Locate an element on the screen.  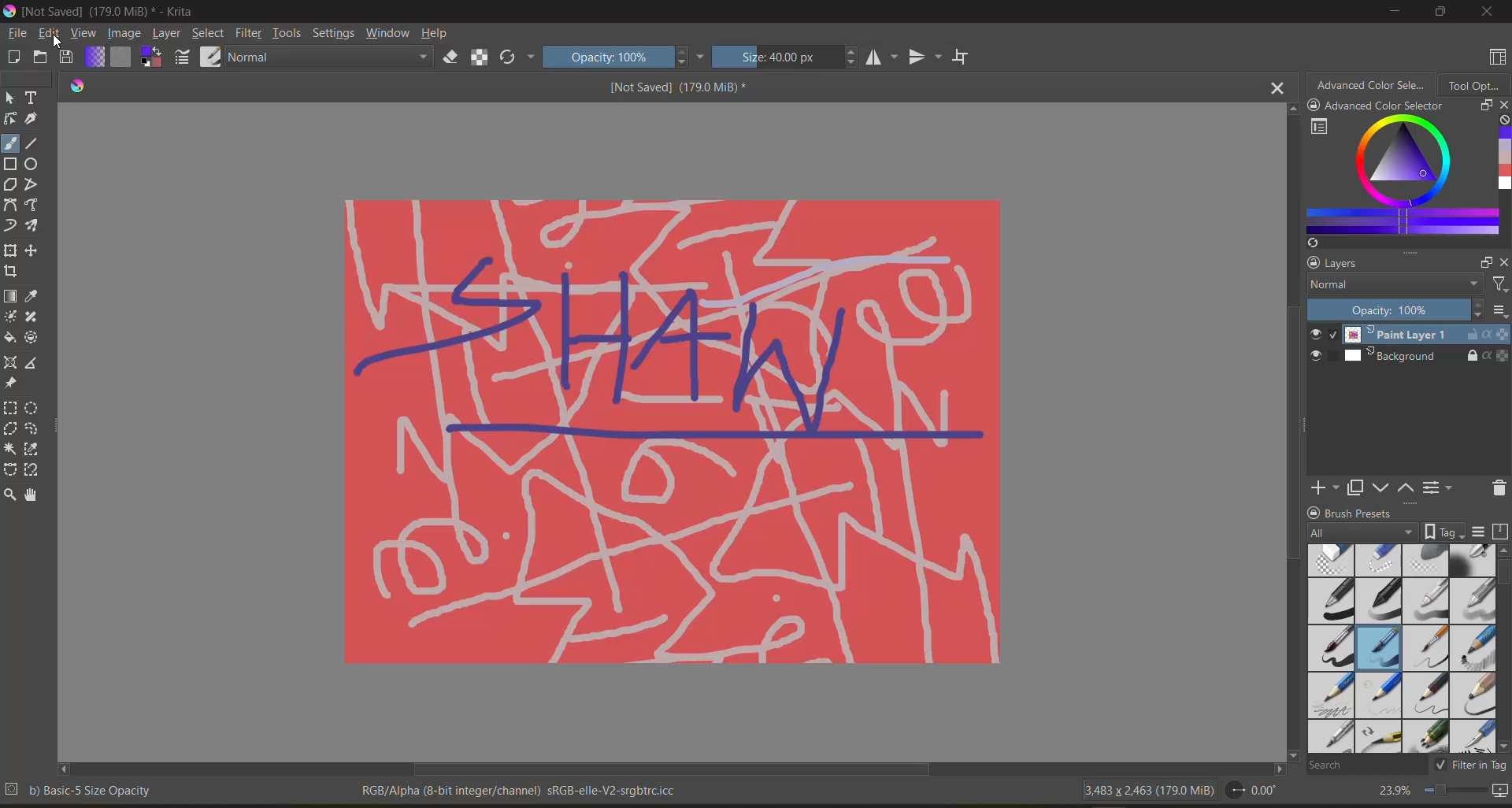
type tool is located at coordinates (33, 98).